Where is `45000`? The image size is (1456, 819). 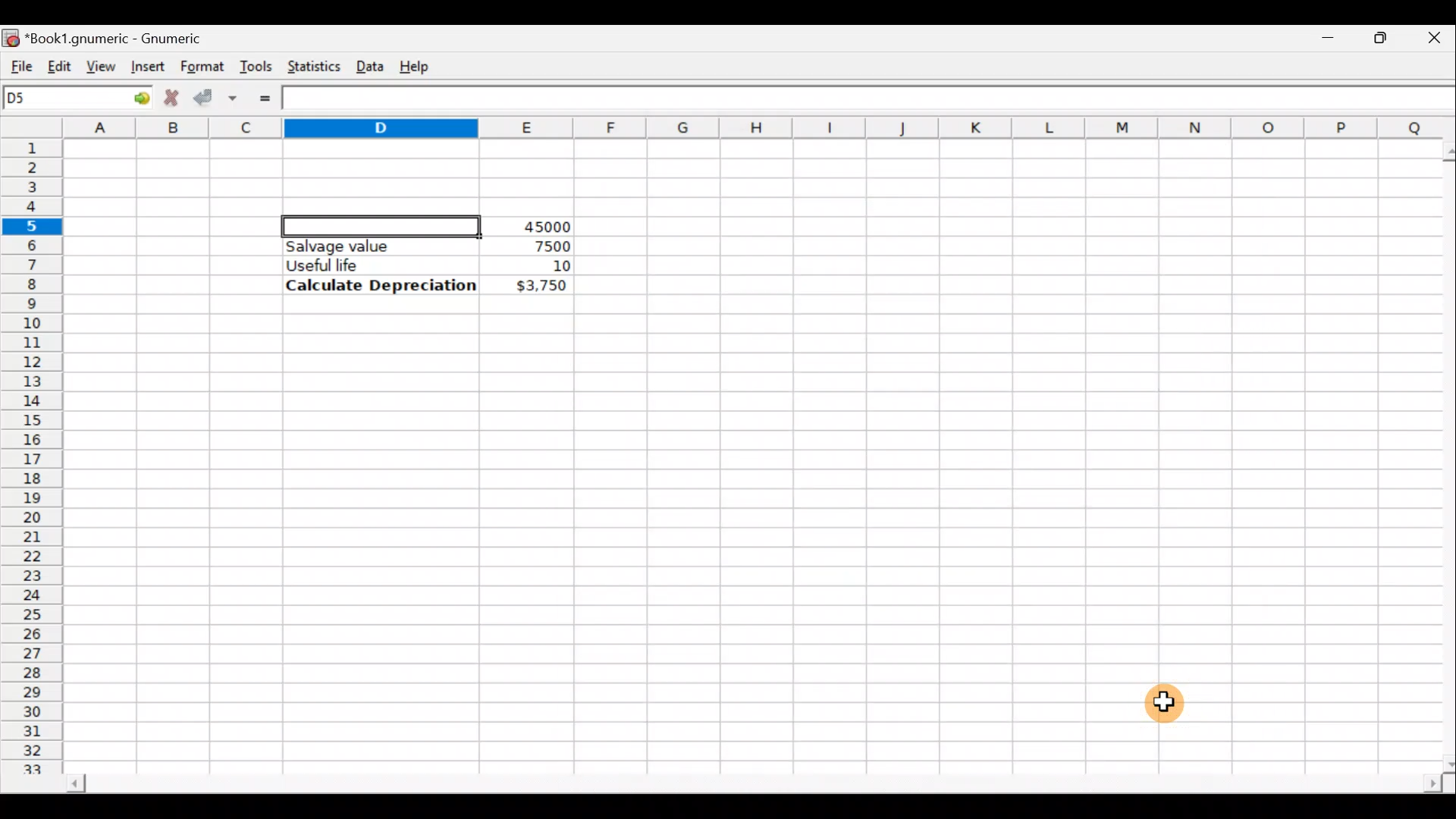 45000 is located at coordinates (541, 227).